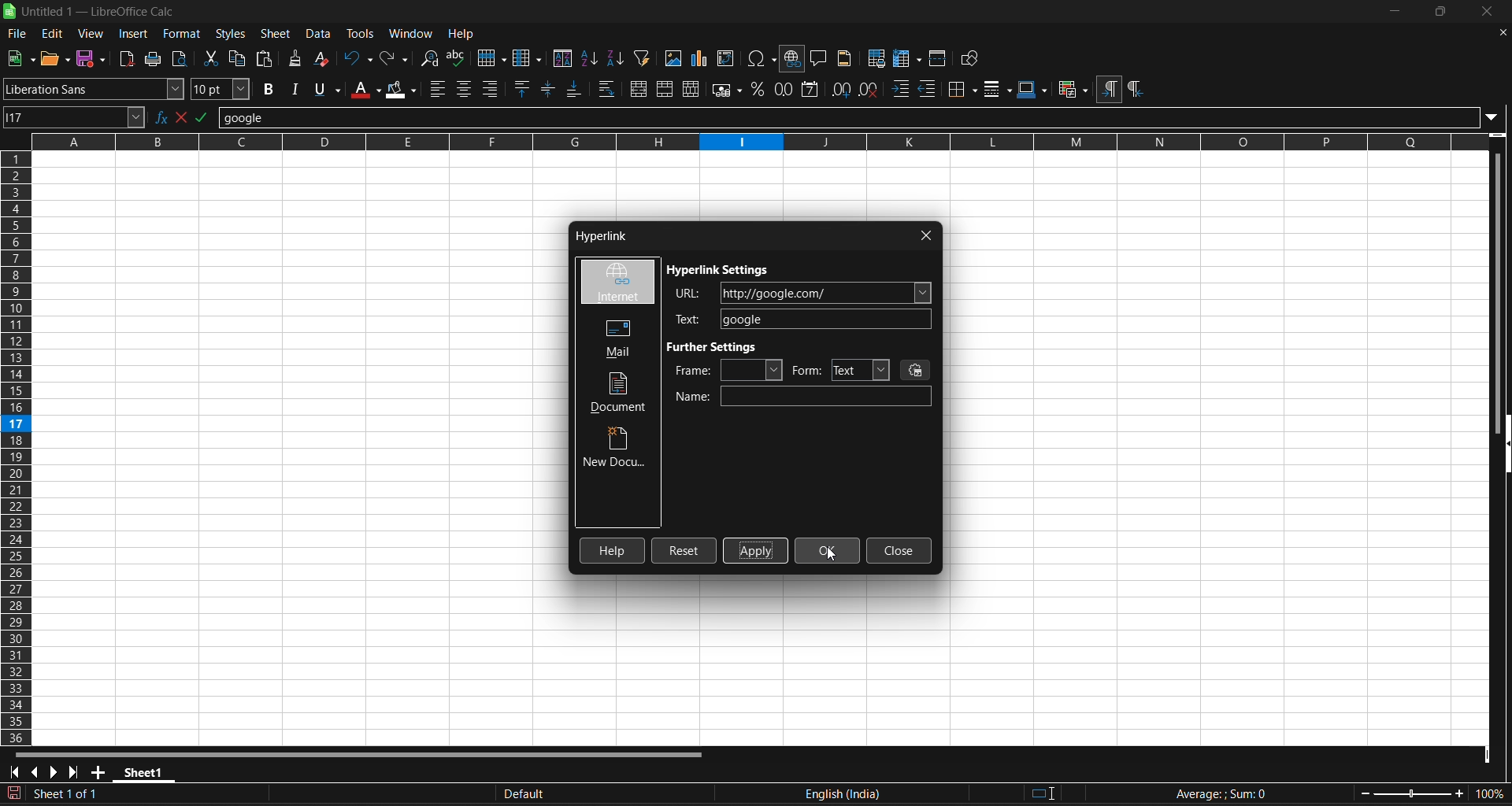 This screenshot has width=1512, height=806. What do you see at coordinates (803, 293) in the screenshot?
I see `typed google.com in URL field` at bounding box center [803, 293].